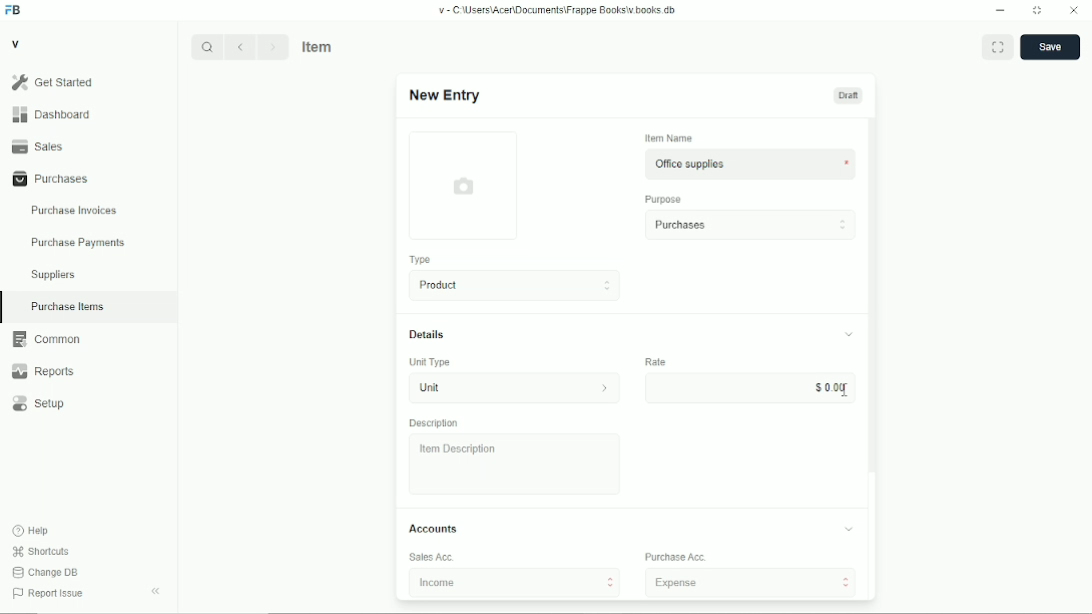 This screenshot has width=1092, height=614. I want to click on required *, so click(847, 164).